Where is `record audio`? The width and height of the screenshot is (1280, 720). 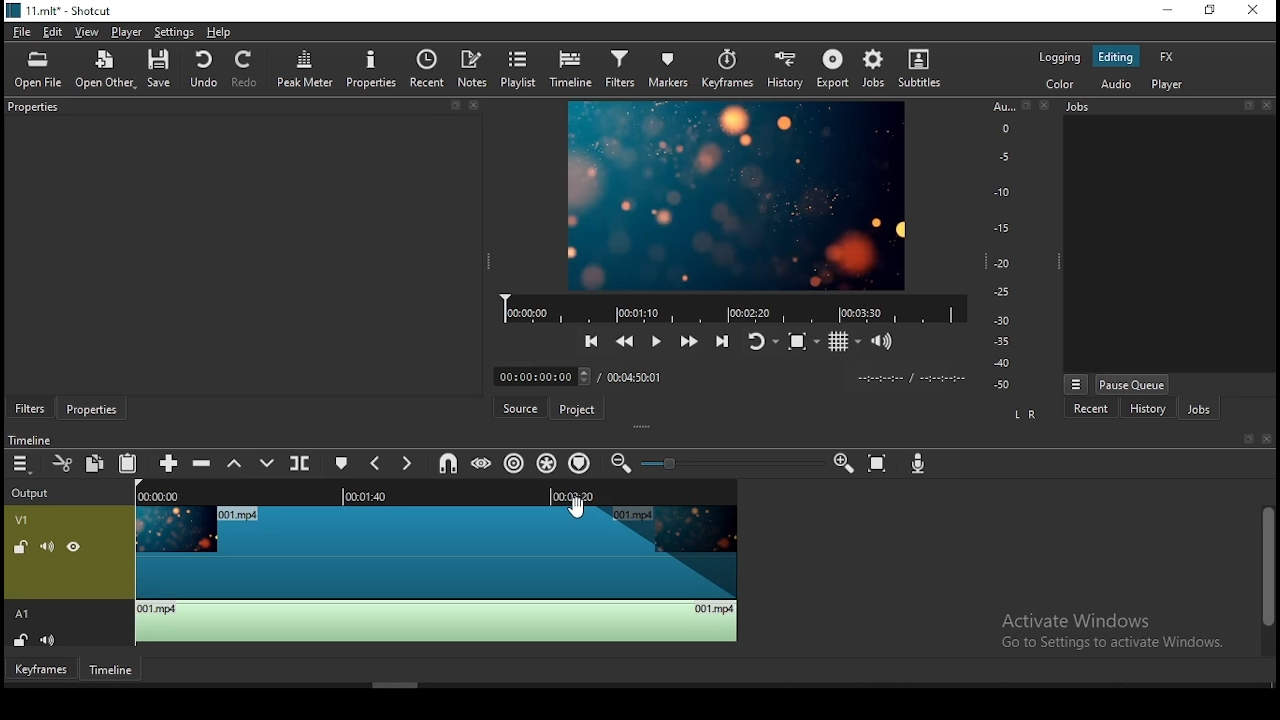
record audio is located at coordinates (919, 464).